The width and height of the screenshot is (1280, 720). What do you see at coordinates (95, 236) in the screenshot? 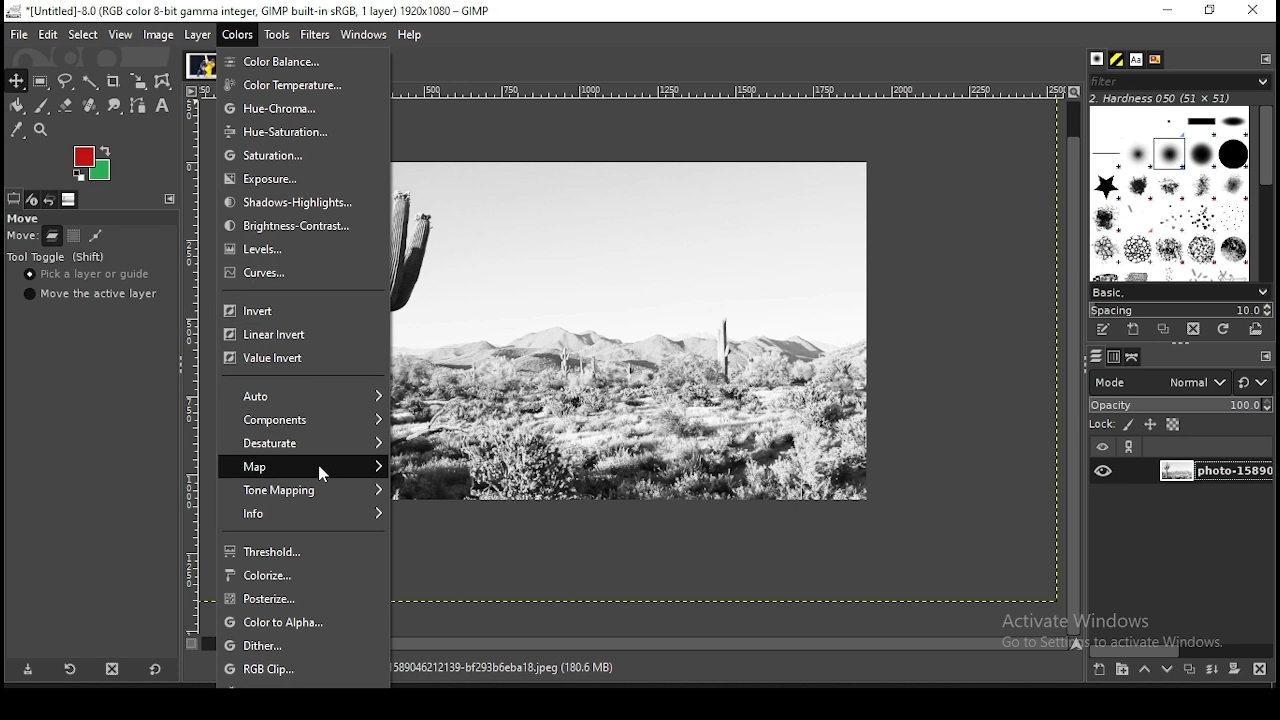
I see `move paths` at bounding box center [95, 236].